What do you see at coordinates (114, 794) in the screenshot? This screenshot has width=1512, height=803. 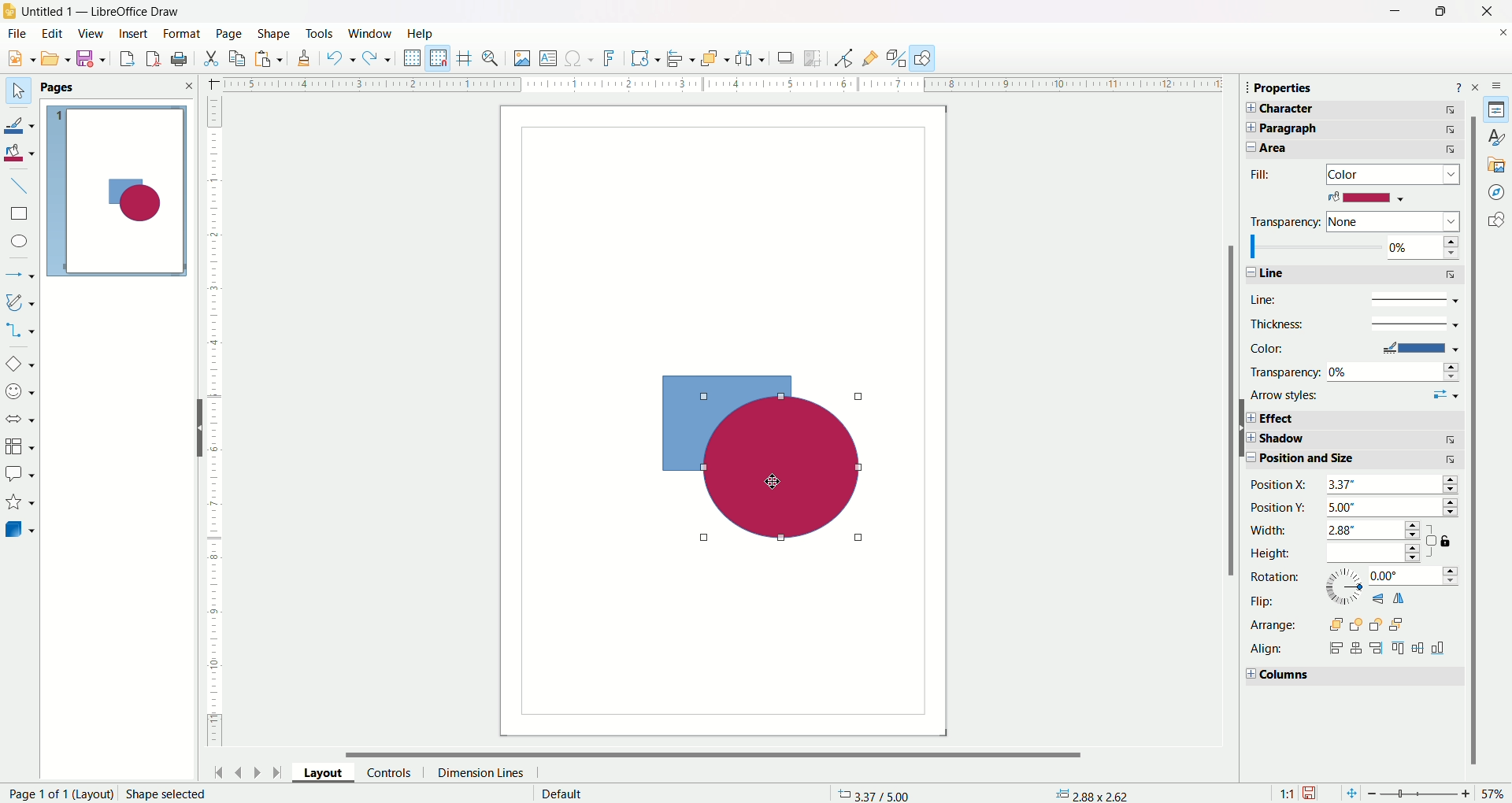 I see `page` at bounding box center [114, 794].